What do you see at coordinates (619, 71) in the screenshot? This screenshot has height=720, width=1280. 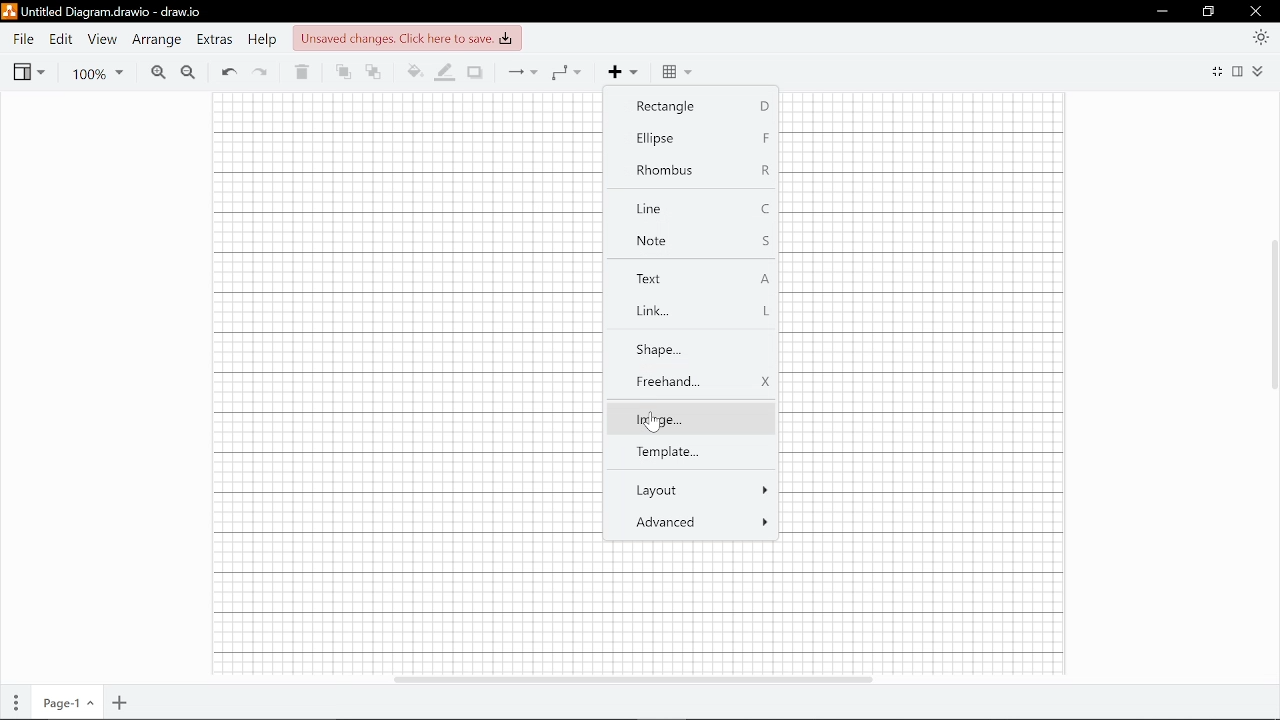 I see `Add` at bounding box center [619, 71].